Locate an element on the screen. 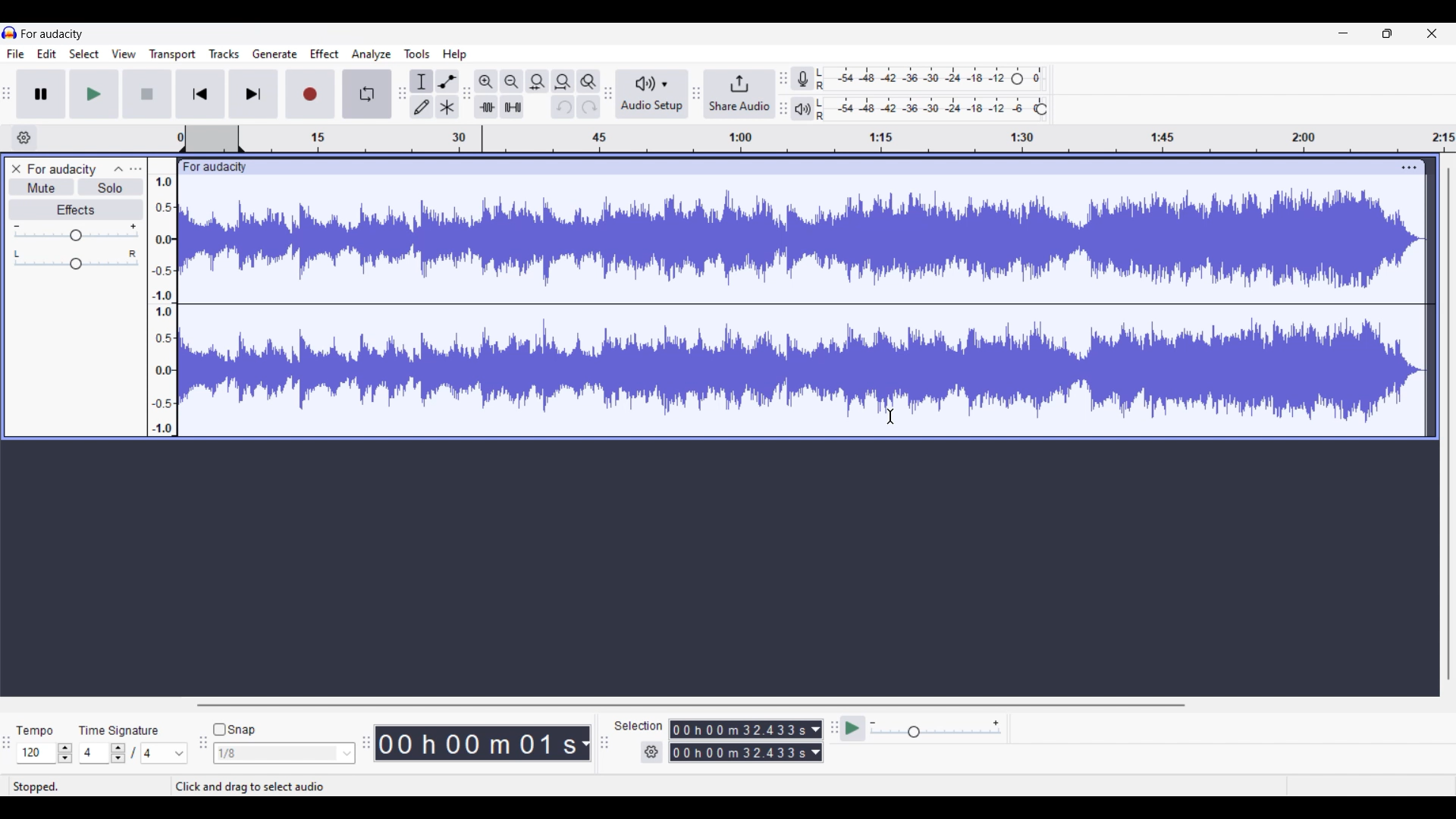 The image size is (1456, 819). Increase/Decrease number is located at coordinates (118, 753).